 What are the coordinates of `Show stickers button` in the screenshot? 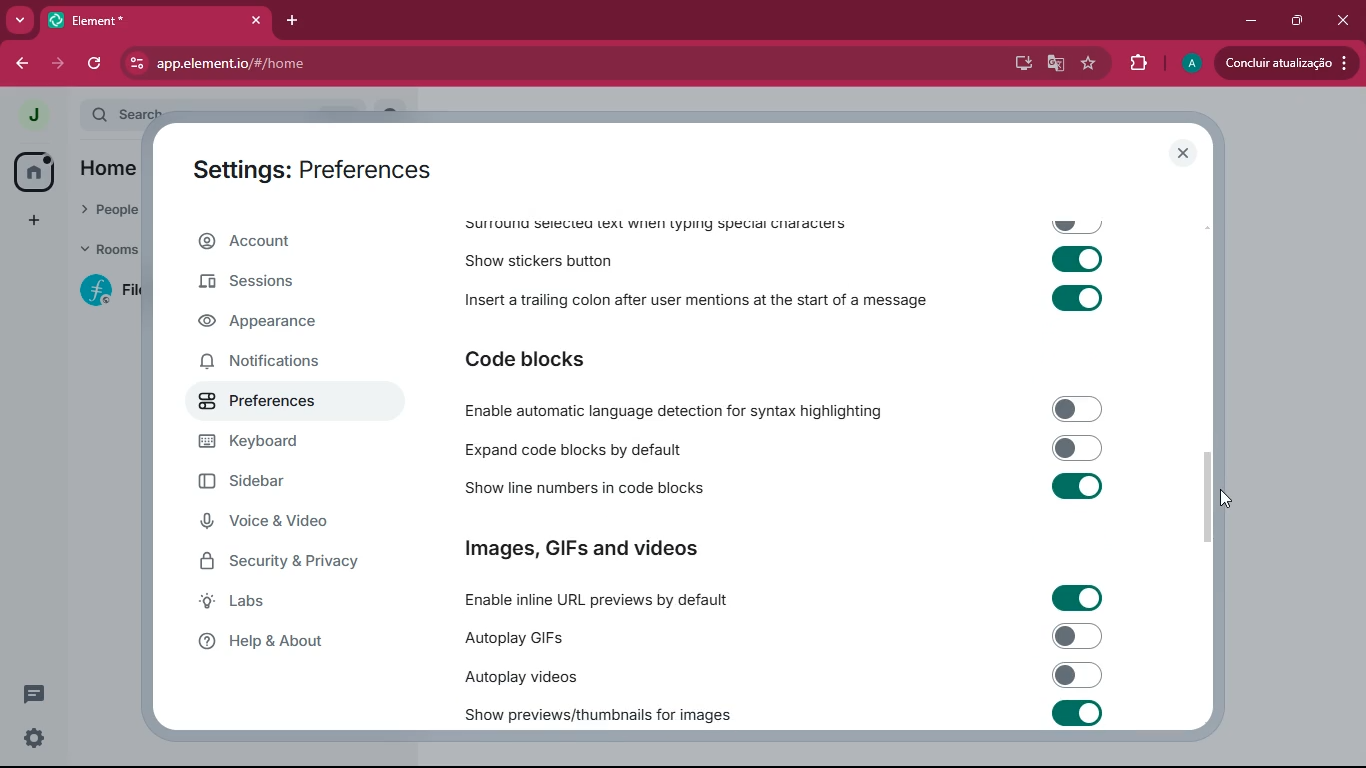 It's located at (785, 263).